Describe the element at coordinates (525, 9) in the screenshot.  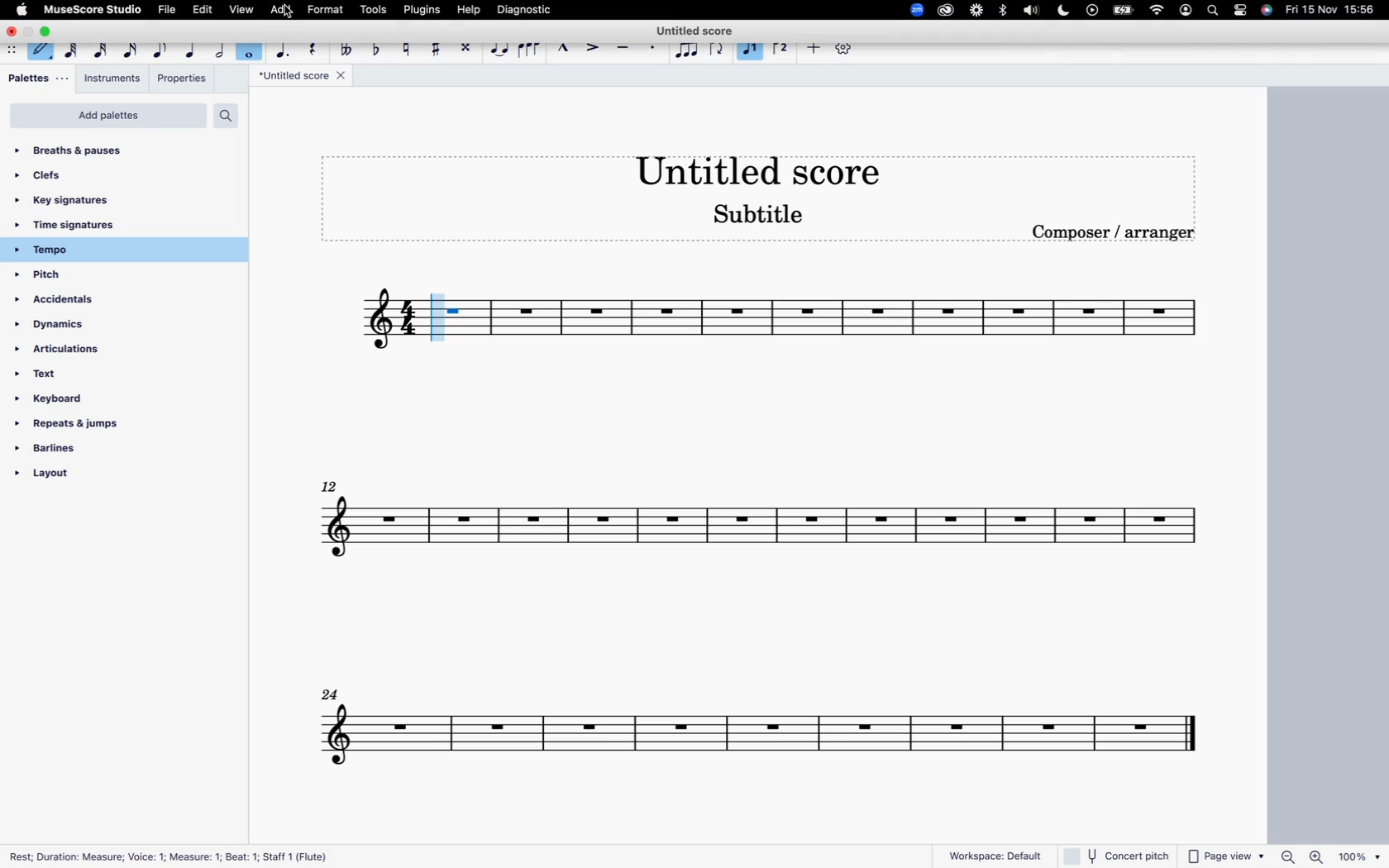
I see `diagnostic` at that location.